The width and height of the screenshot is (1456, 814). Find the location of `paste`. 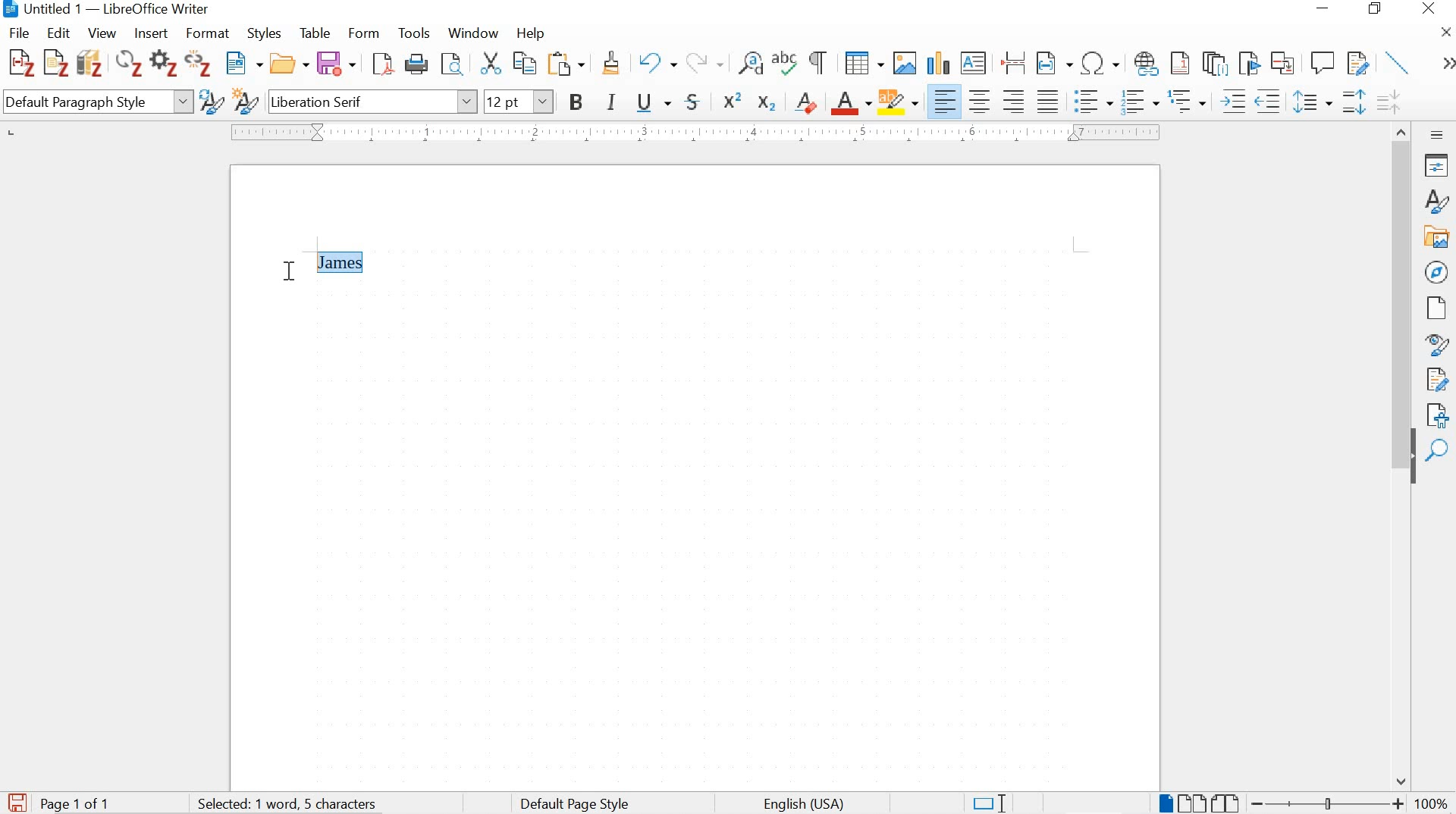

paste is located at coordinates (570, 64).